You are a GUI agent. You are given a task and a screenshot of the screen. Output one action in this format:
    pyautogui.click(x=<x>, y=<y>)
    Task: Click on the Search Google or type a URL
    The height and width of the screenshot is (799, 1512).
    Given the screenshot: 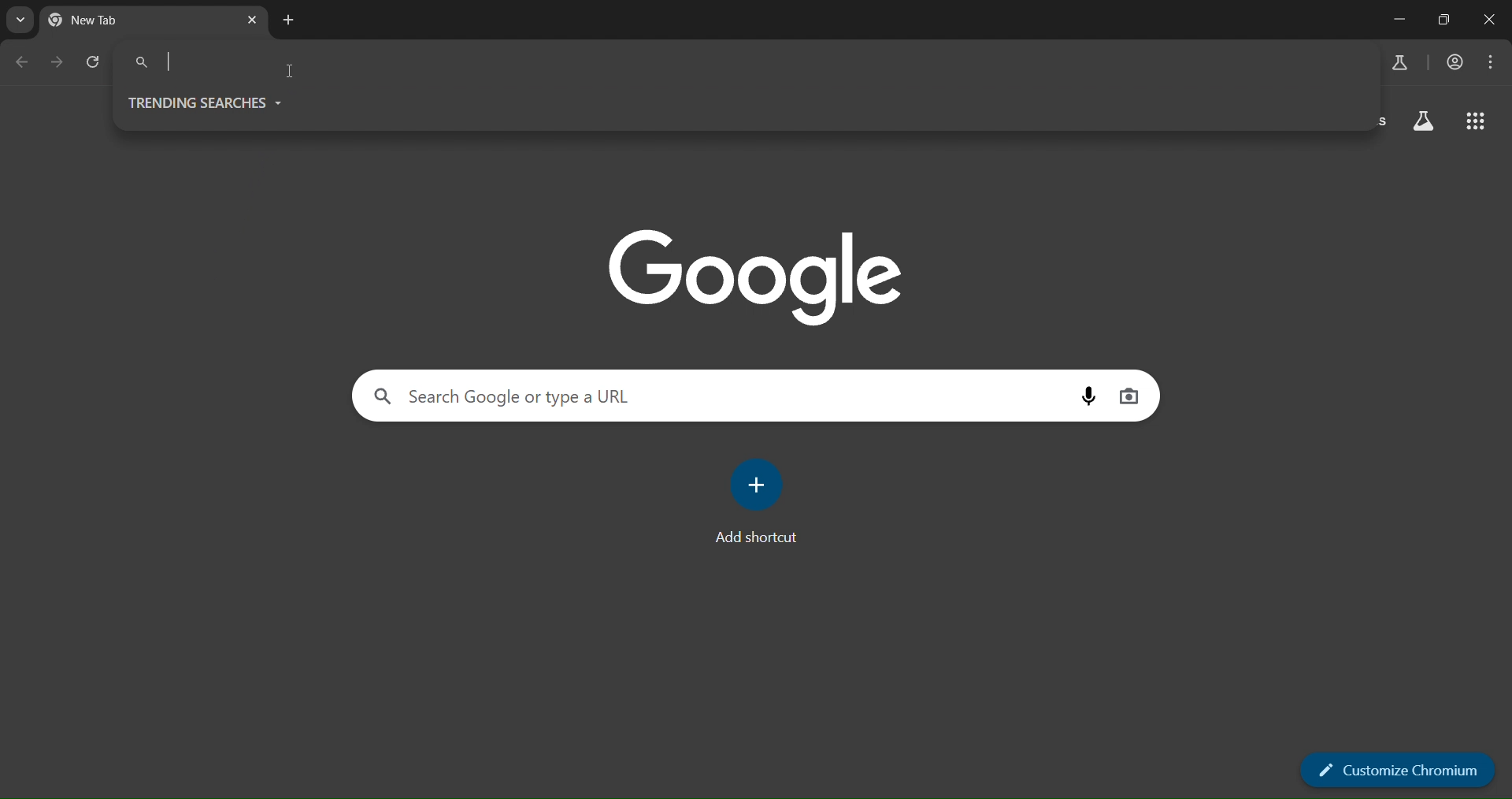 What is the action you would take?
    pyautogui.click(x=733, y=64)
    